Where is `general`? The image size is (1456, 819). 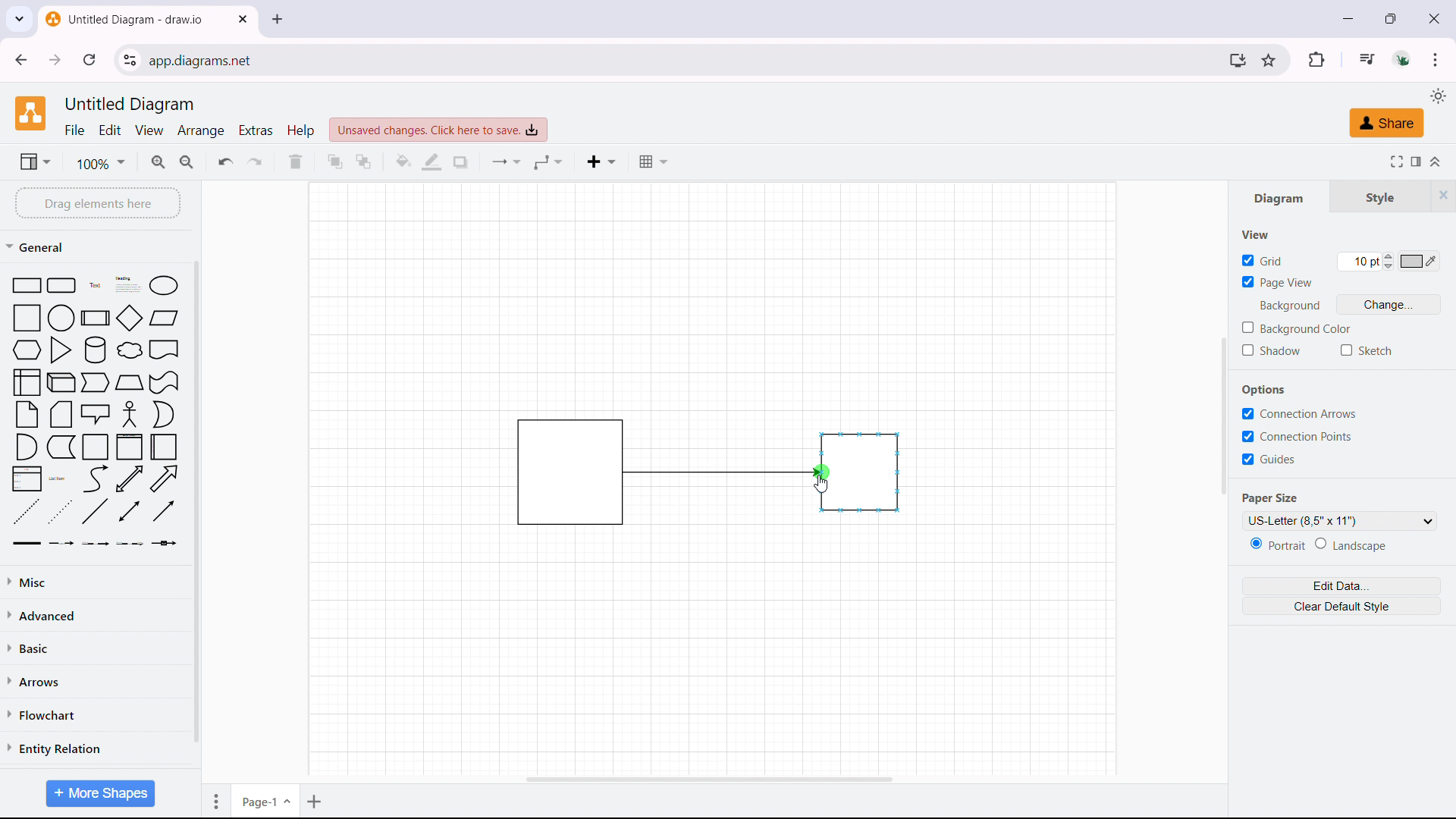 general is located at coordinates (39, 246).